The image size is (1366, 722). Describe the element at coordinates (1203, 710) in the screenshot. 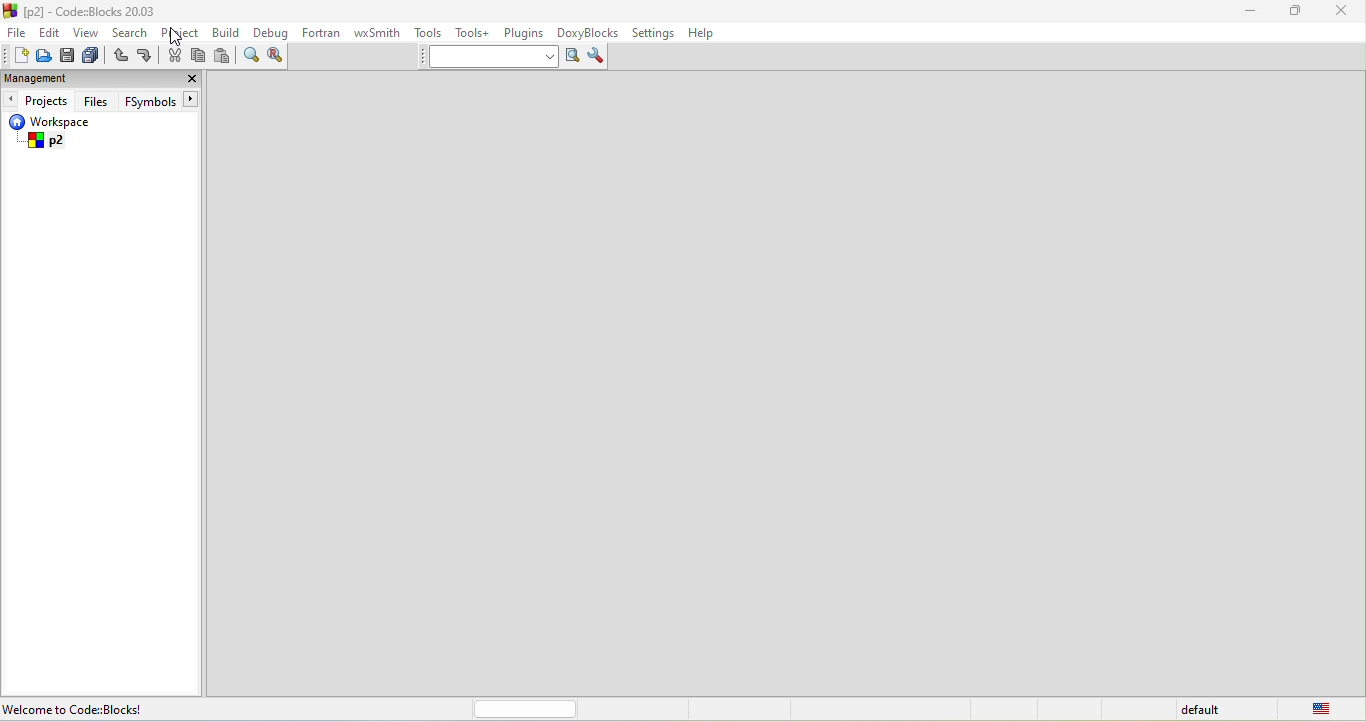

I see `default` at that location.